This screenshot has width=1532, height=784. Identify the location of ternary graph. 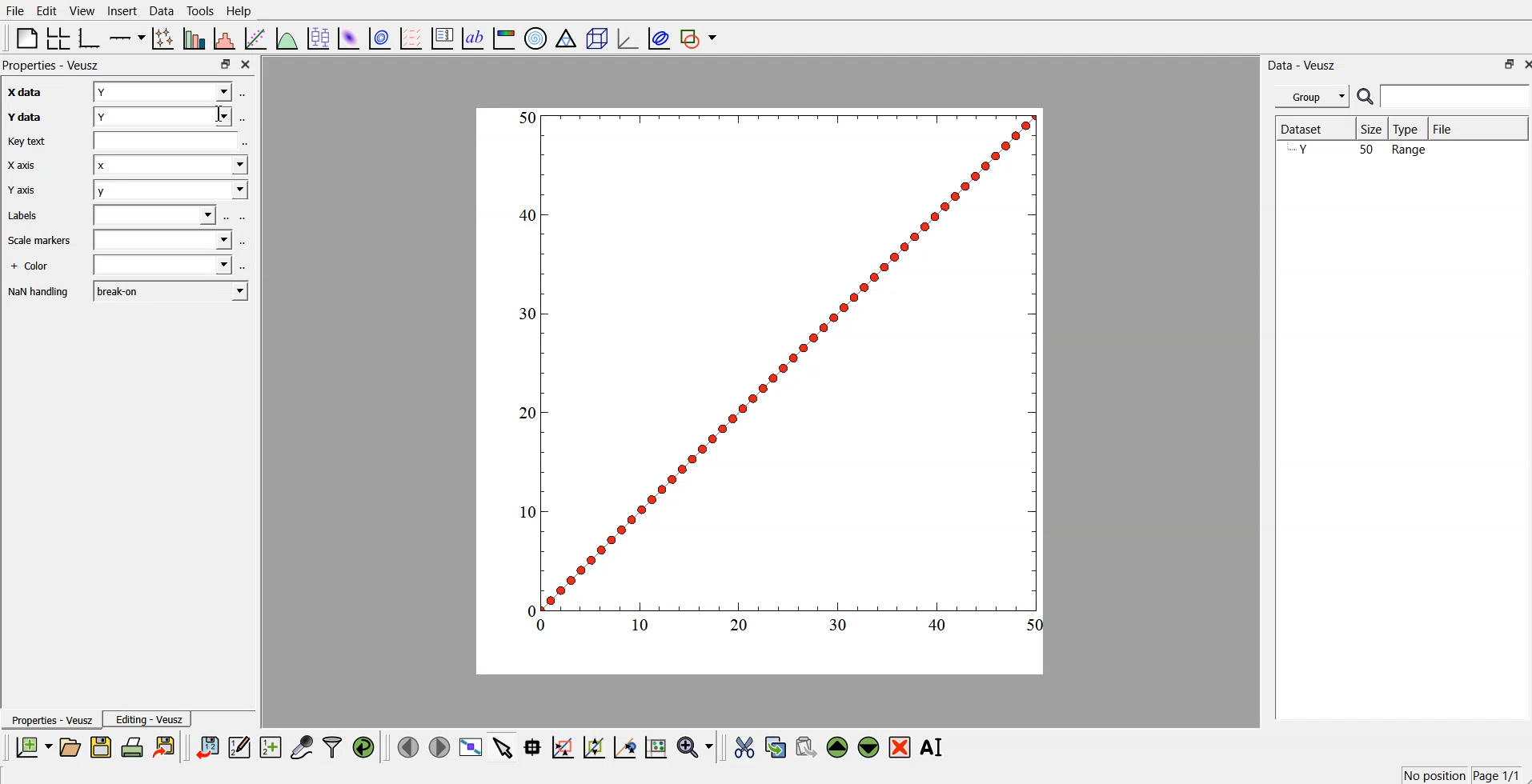
(566, 37).